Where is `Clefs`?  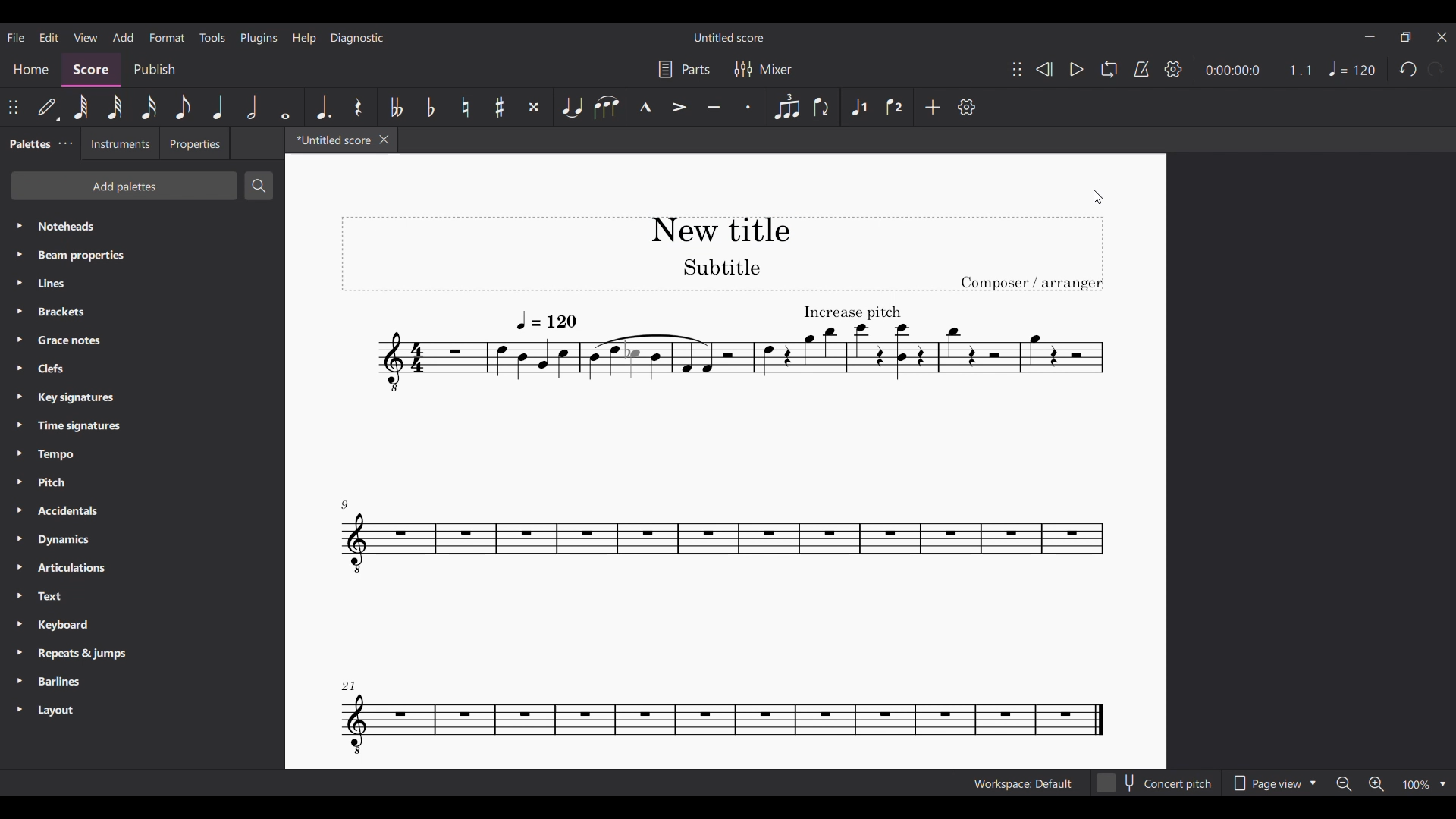 Clefs is located at coordinates (141, 369).